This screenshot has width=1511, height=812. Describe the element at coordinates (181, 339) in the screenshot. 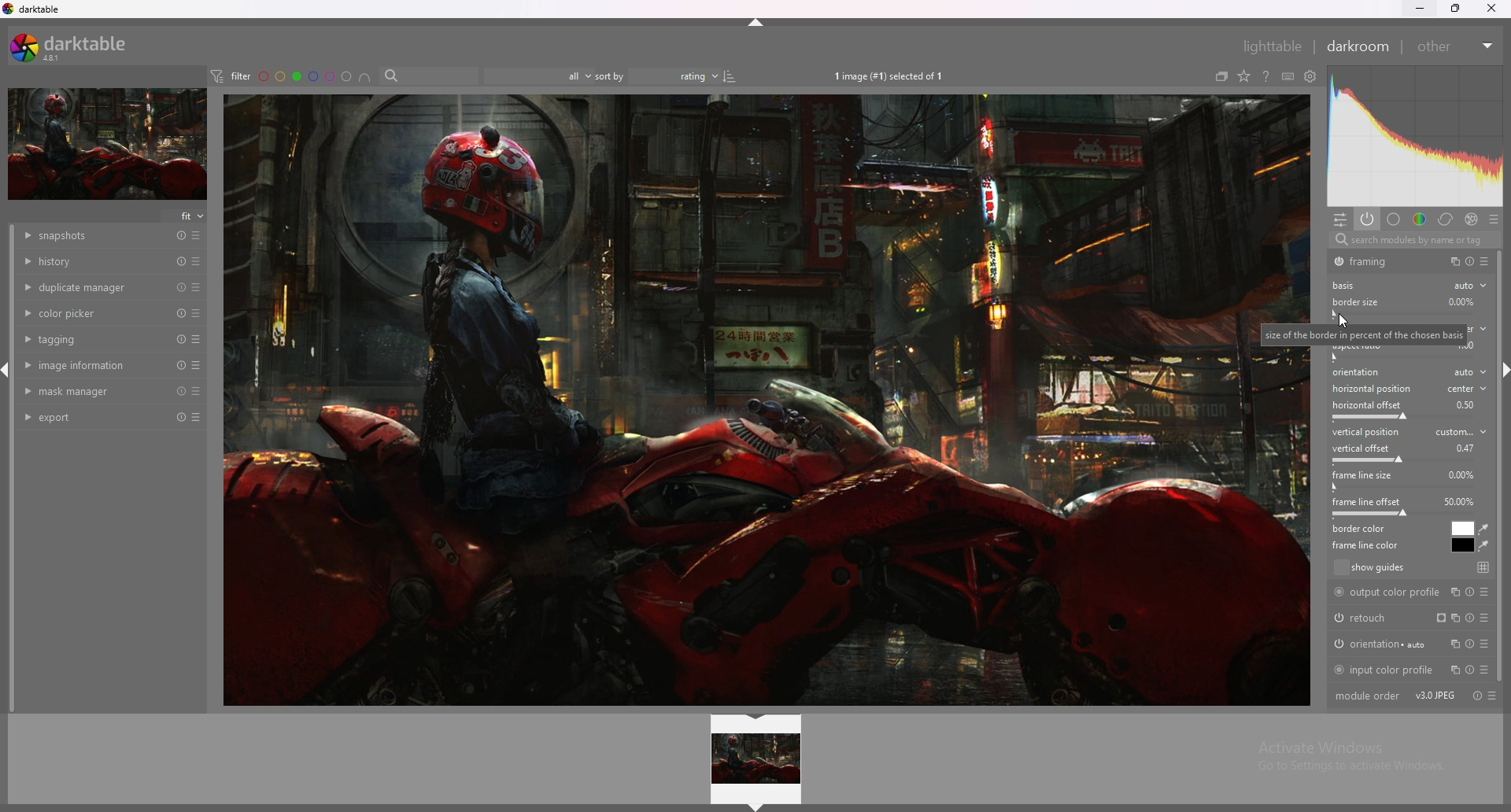

I see `reset` at that location.